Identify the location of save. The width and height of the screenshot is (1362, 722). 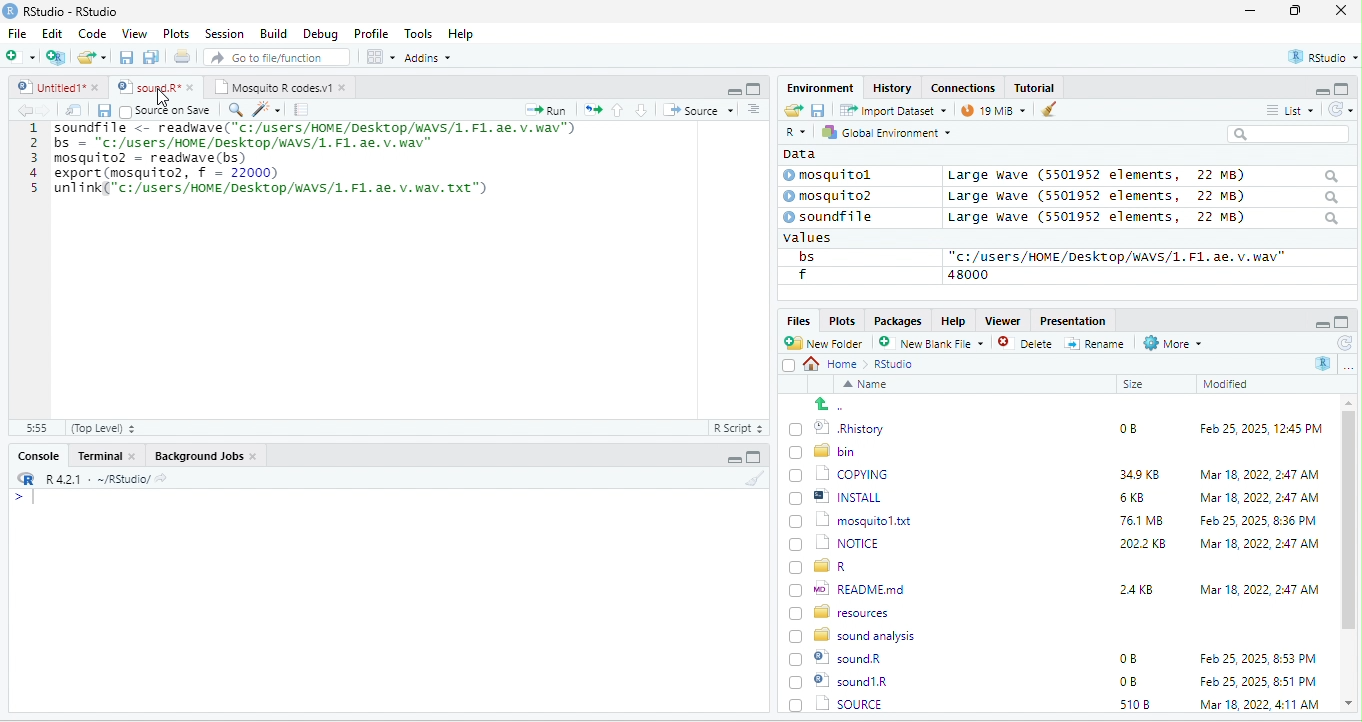
(103, 110).